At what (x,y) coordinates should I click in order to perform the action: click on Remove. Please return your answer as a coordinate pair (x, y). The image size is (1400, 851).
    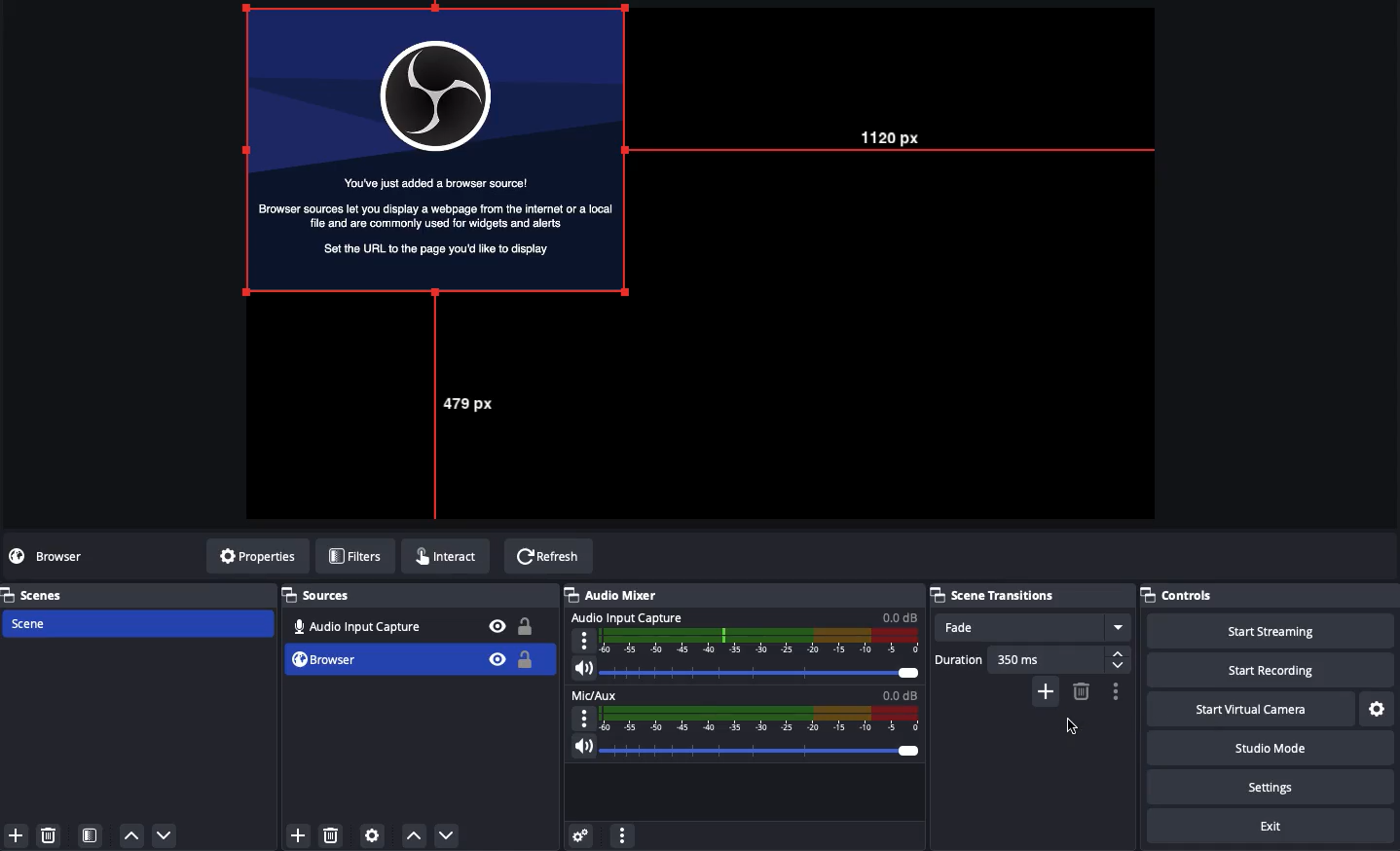
    Looking at the image, I should click on (1081, 690).